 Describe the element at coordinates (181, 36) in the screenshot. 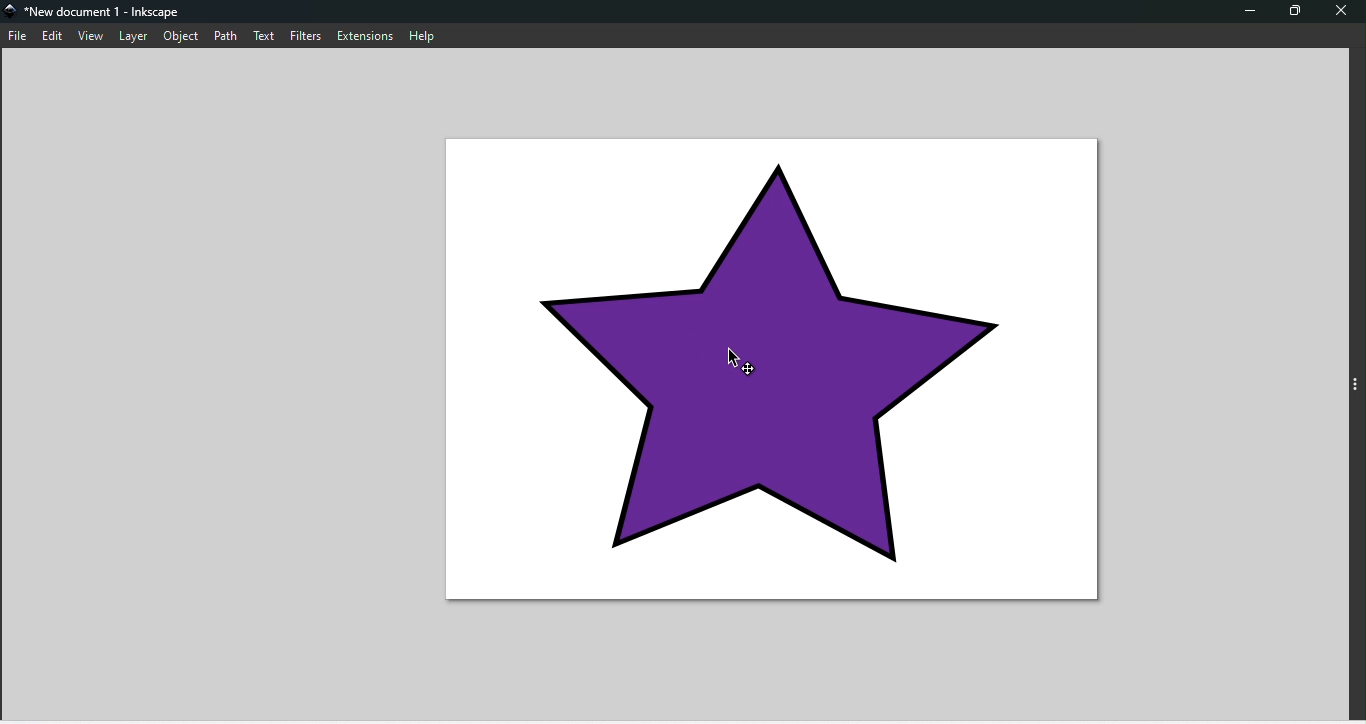

I see `Object` at that location.